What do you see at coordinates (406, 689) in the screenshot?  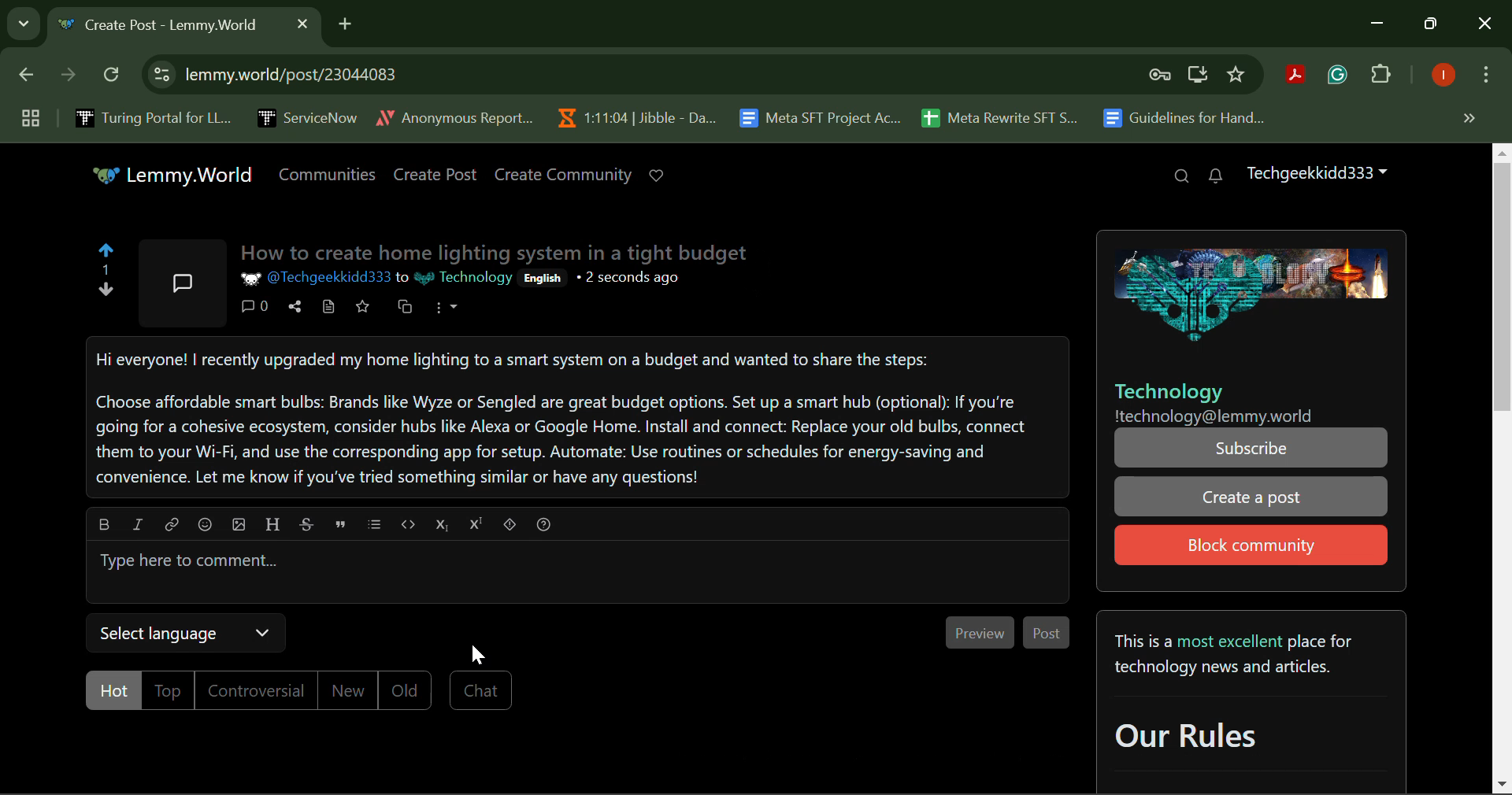 I see `Old Post Filter Unselected` at bounding box center [406, 689].